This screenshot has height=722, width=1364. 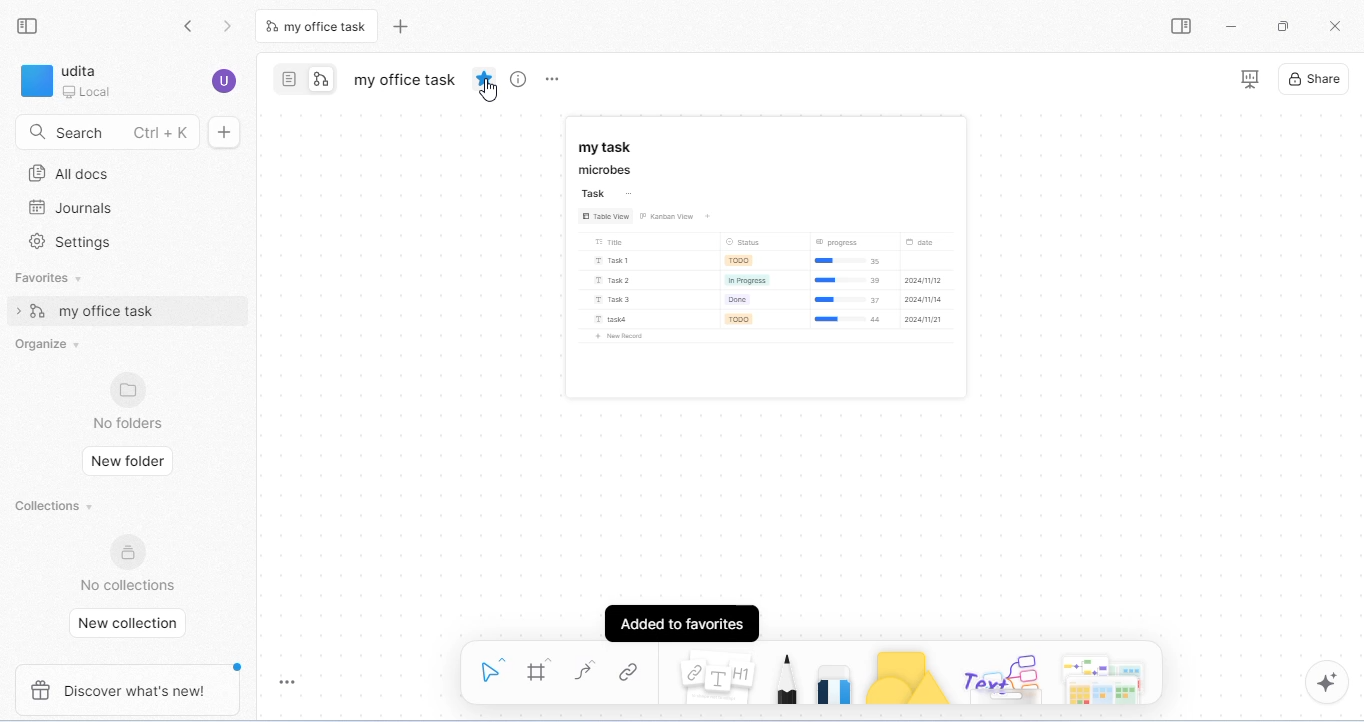 What do you see at coordinates (1337, 26) in the screenshot?
I see `close` at bounding box center [1337, 26].